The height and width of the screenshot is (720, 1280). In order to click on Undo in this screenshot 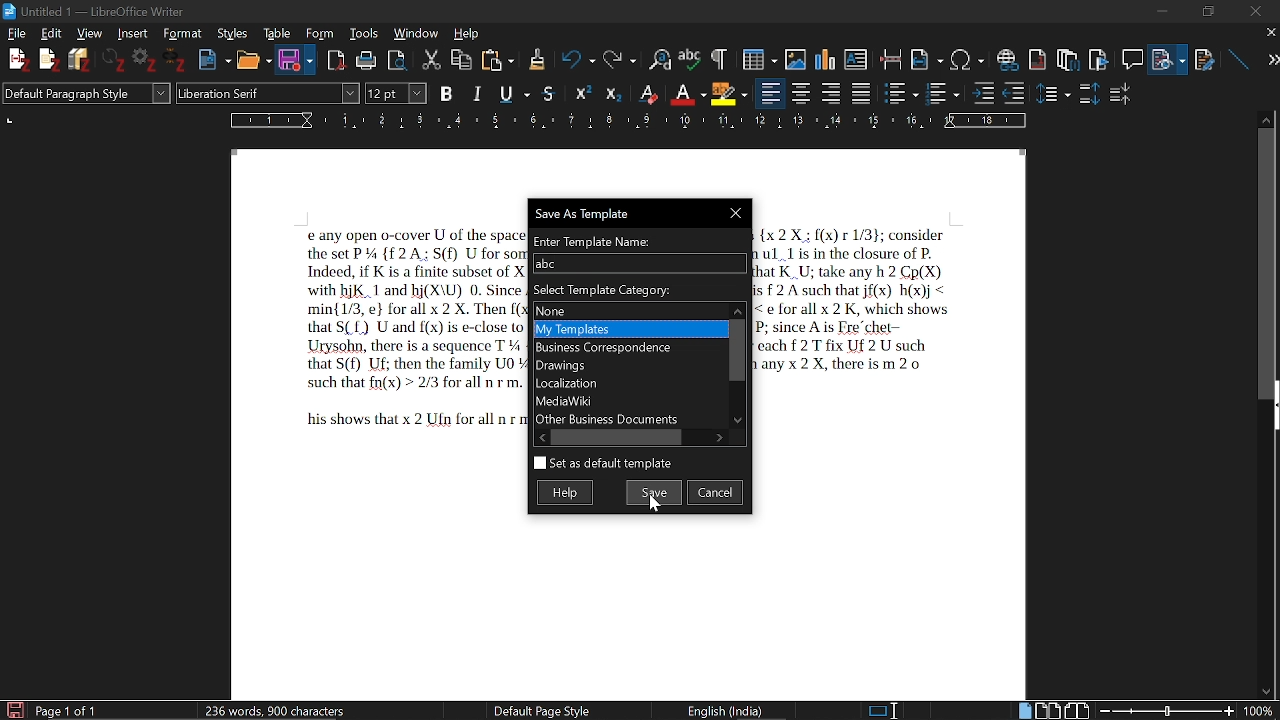, I will do `click(572, 59)`.